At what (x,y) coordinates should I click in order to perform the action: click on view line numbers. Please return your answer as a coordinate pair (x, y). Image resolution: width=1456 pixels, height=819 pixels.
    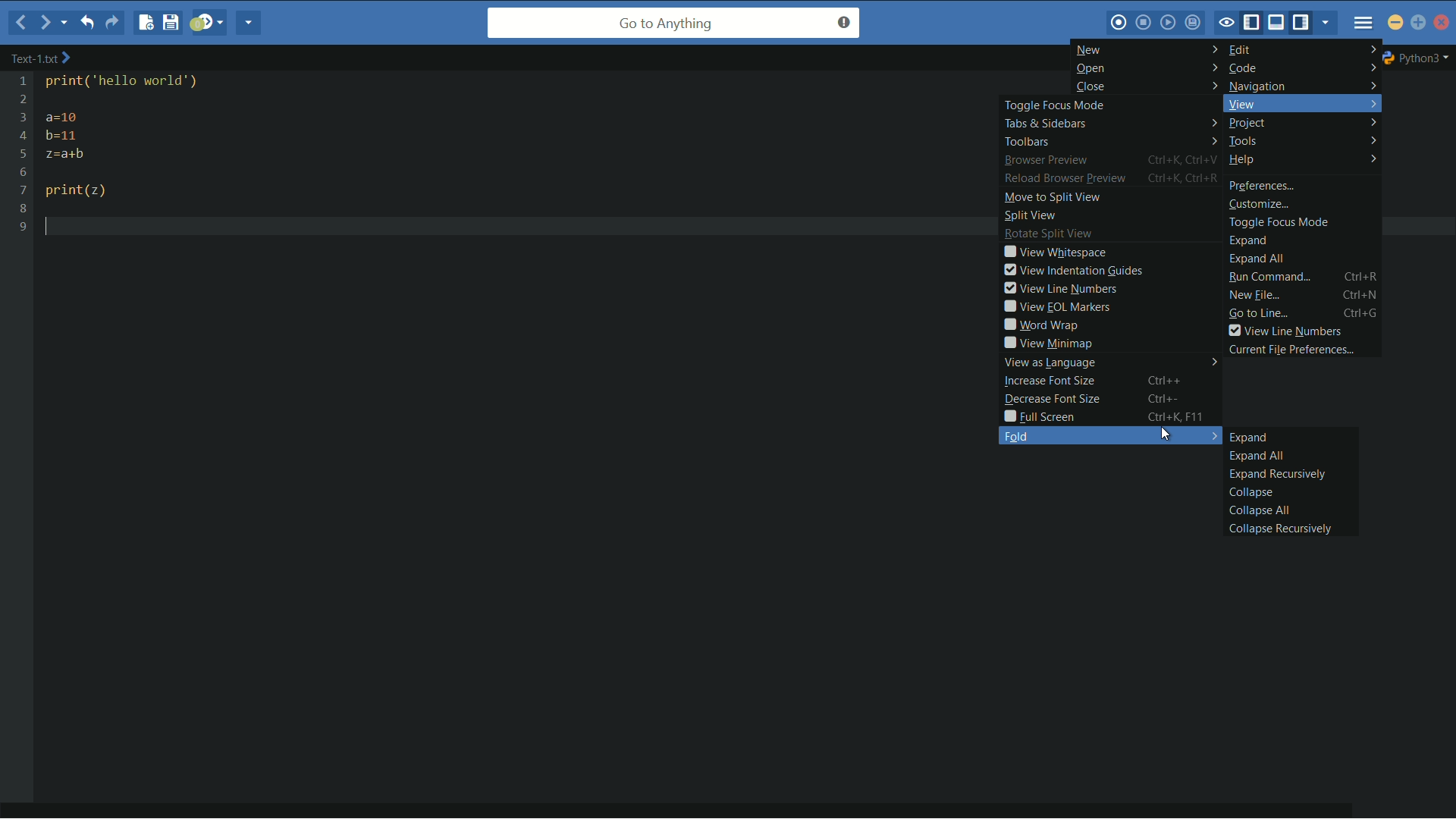
    Looking at the image, I should click on (1285, 331).